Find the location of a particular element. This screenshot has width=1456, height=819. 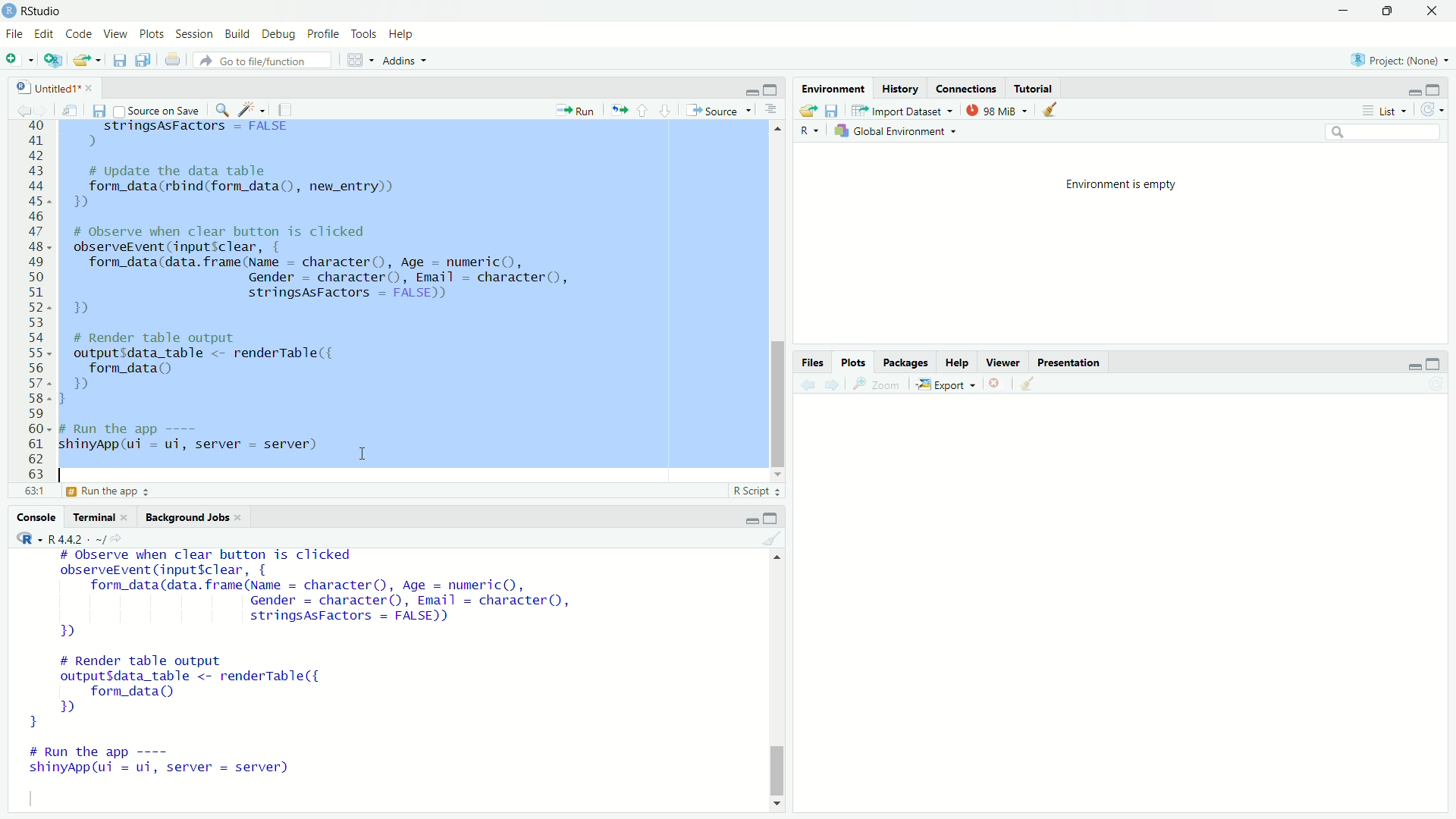

go to the file/function is located at coordinates (262, 60).